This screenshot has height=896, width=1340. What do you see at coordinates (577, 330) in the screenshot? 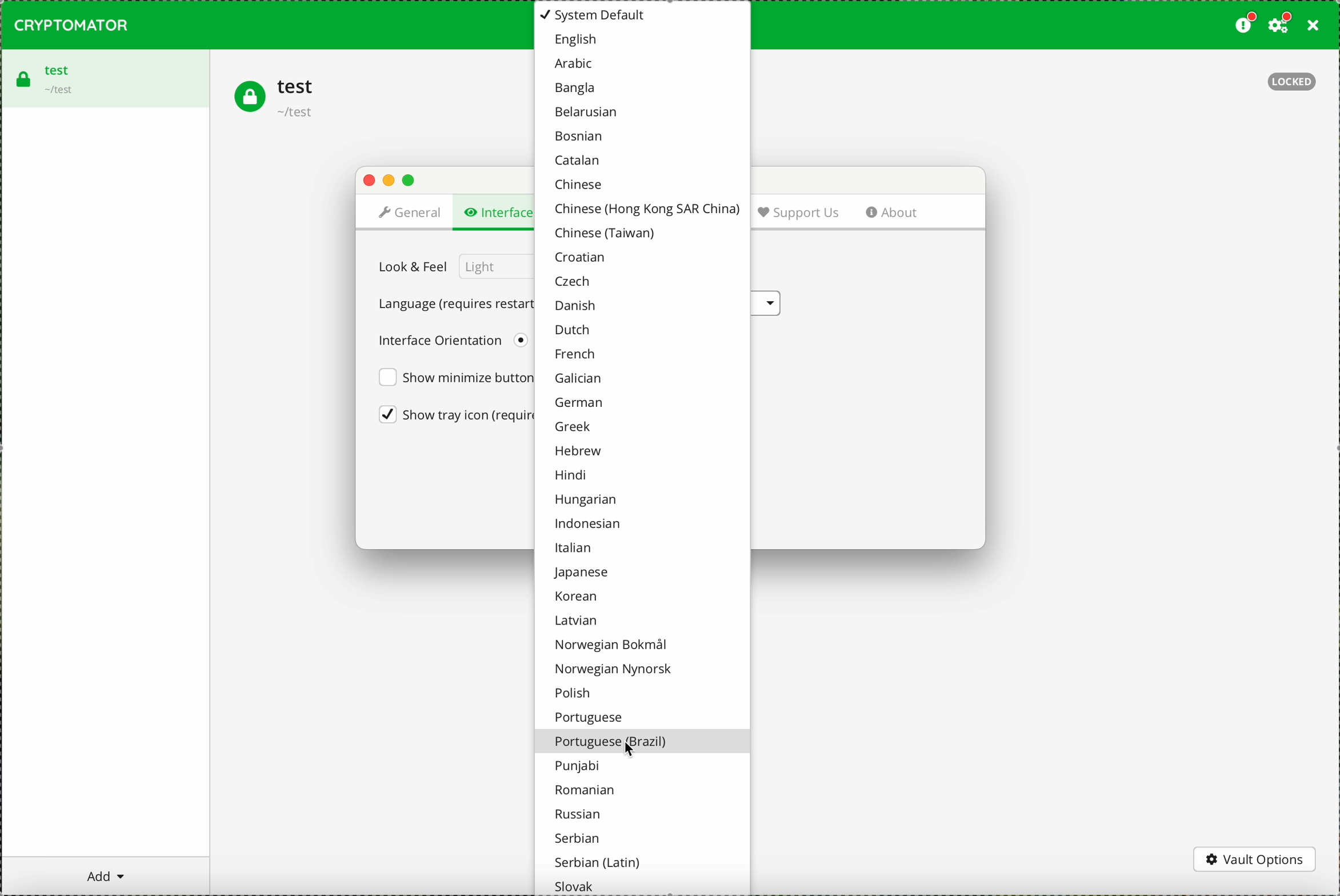
I see `dutch` at bounding box center [577, 330].